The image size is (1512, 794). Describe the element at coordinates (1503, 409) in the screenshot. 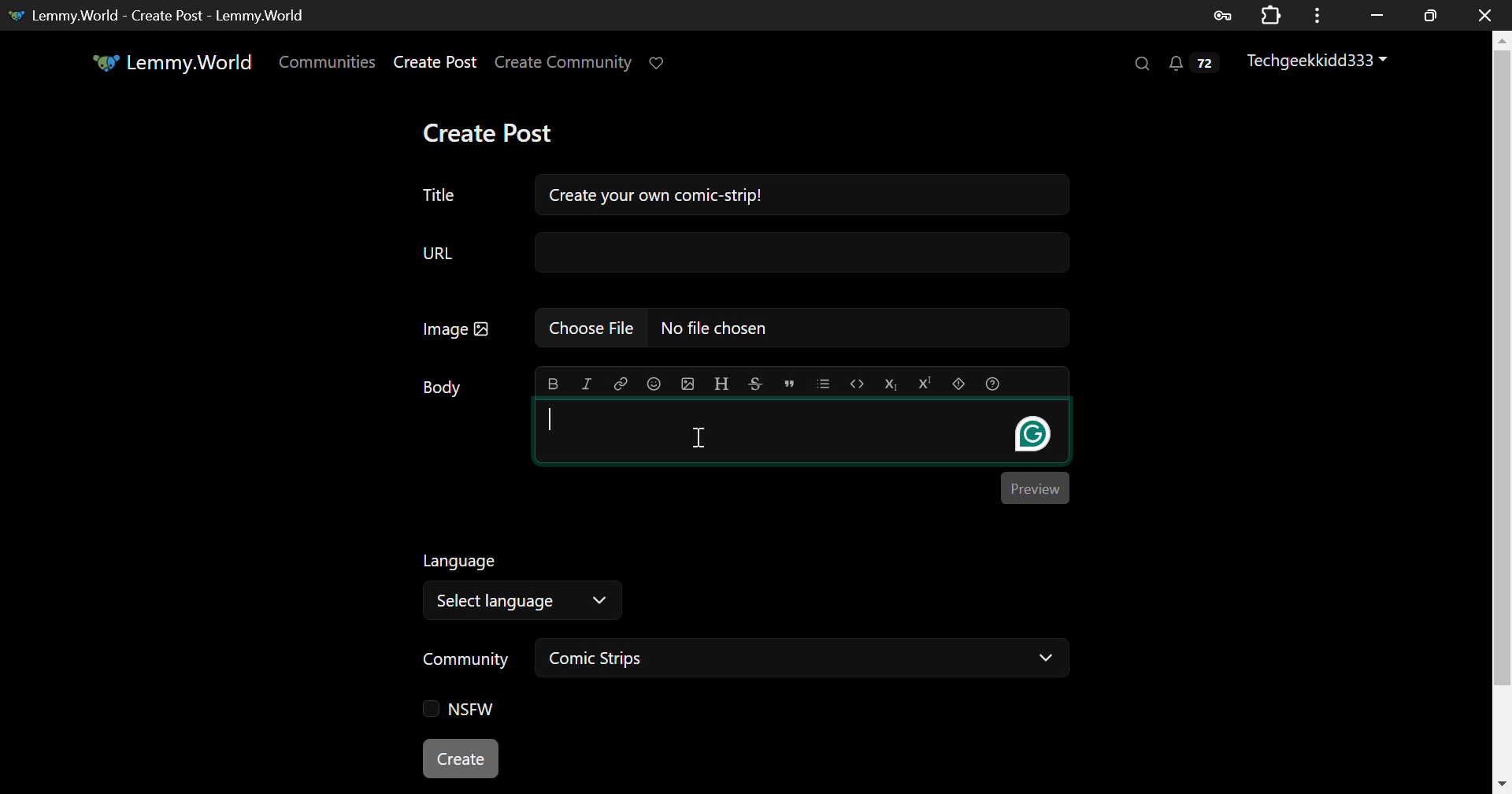

I see `Scroll Bar` at that location.